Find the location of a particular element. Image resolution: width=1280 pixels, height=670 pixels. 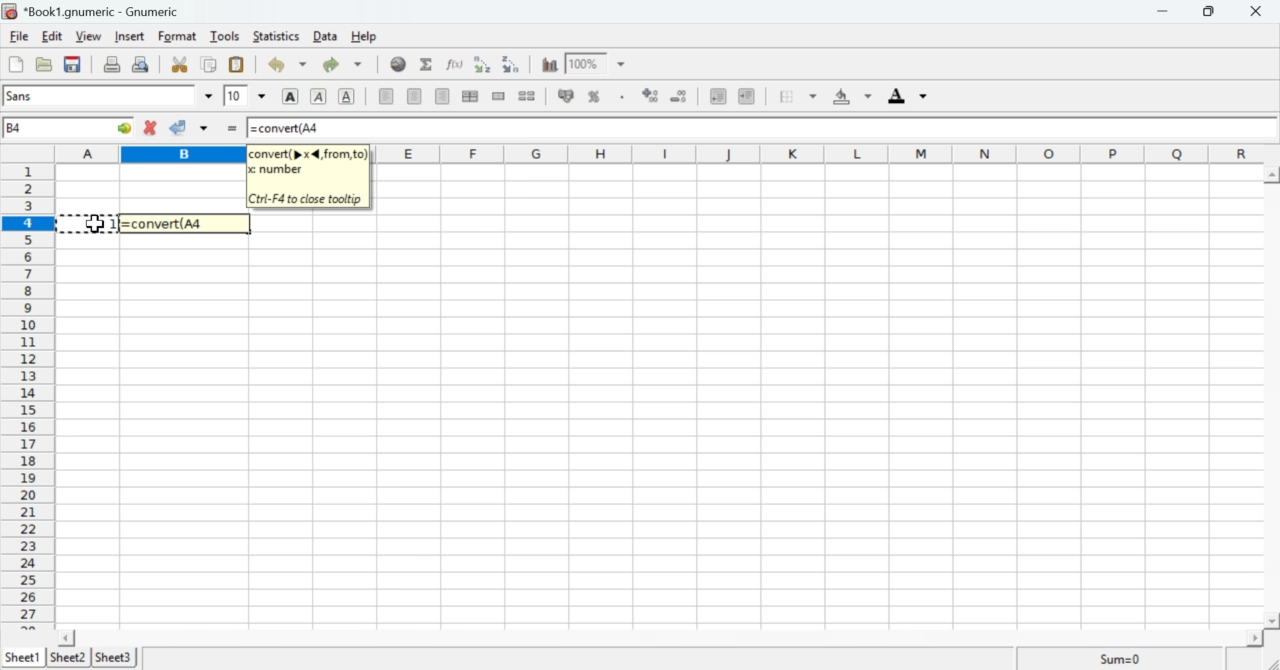

Print the current file is located at coordinates (111, 63).